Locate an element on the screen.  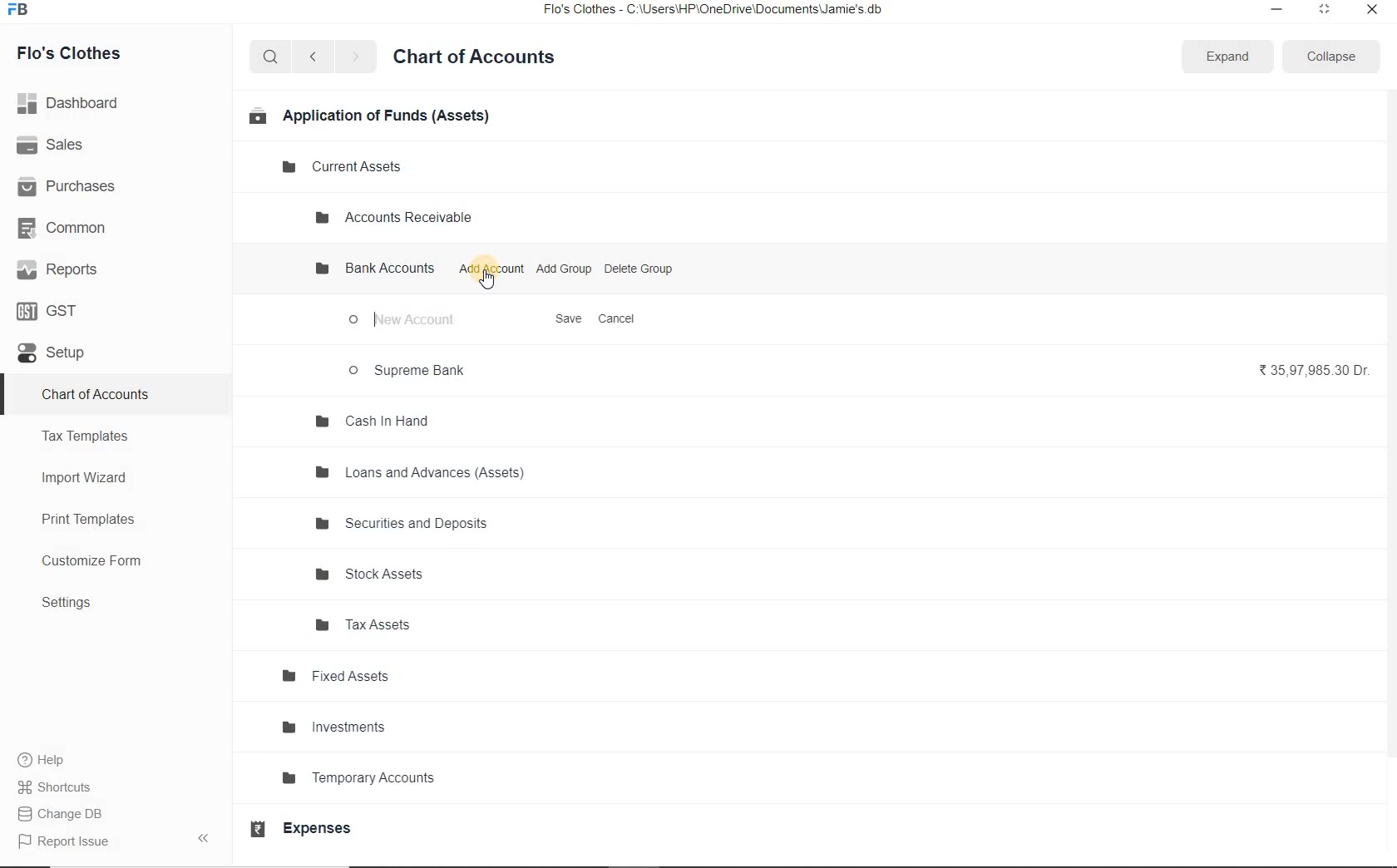
maximize is located at coordinates (1325, 8).